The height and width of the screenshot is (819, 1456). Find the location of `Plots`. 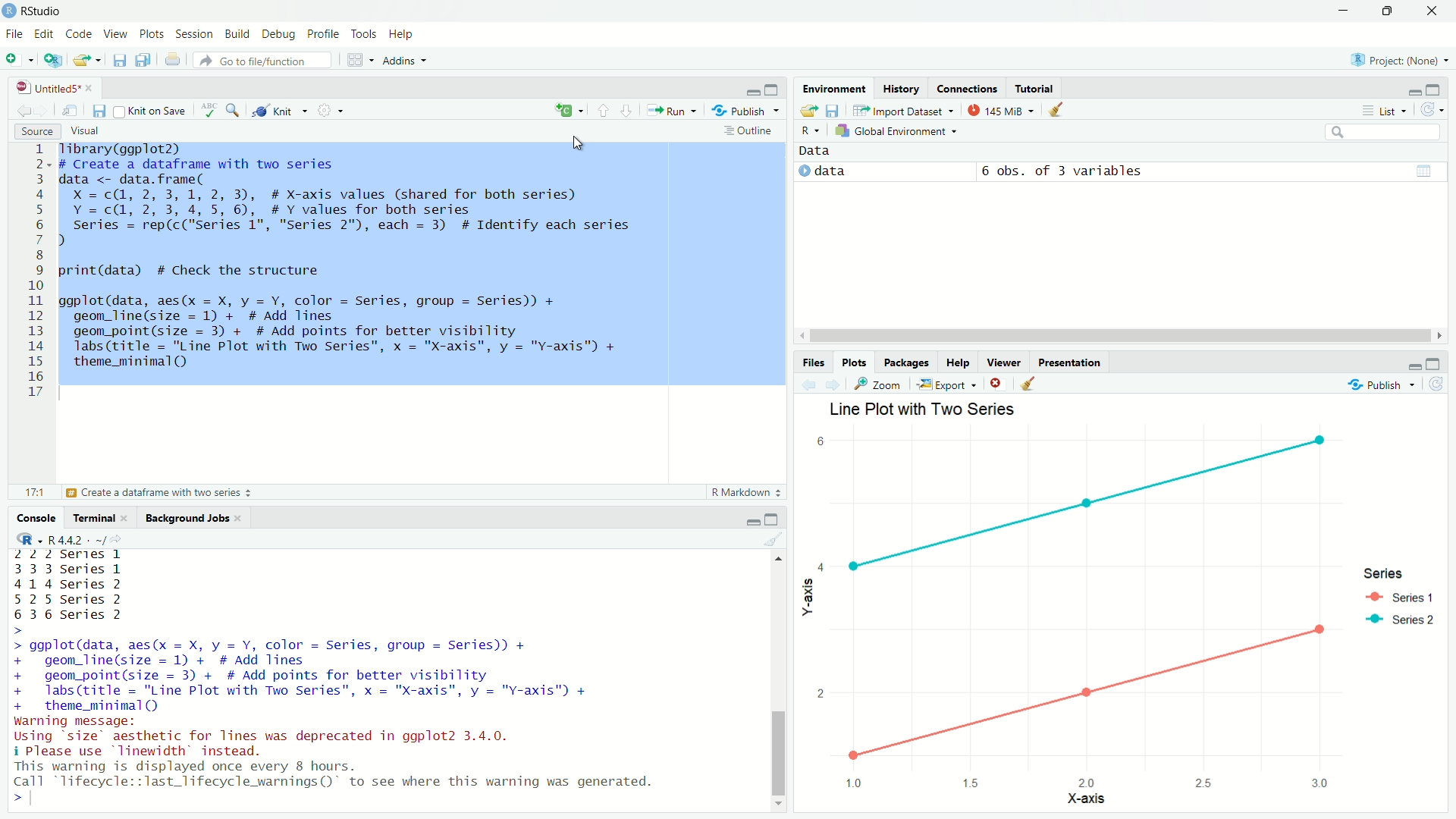

Plots is located at coordinates (857, 363).